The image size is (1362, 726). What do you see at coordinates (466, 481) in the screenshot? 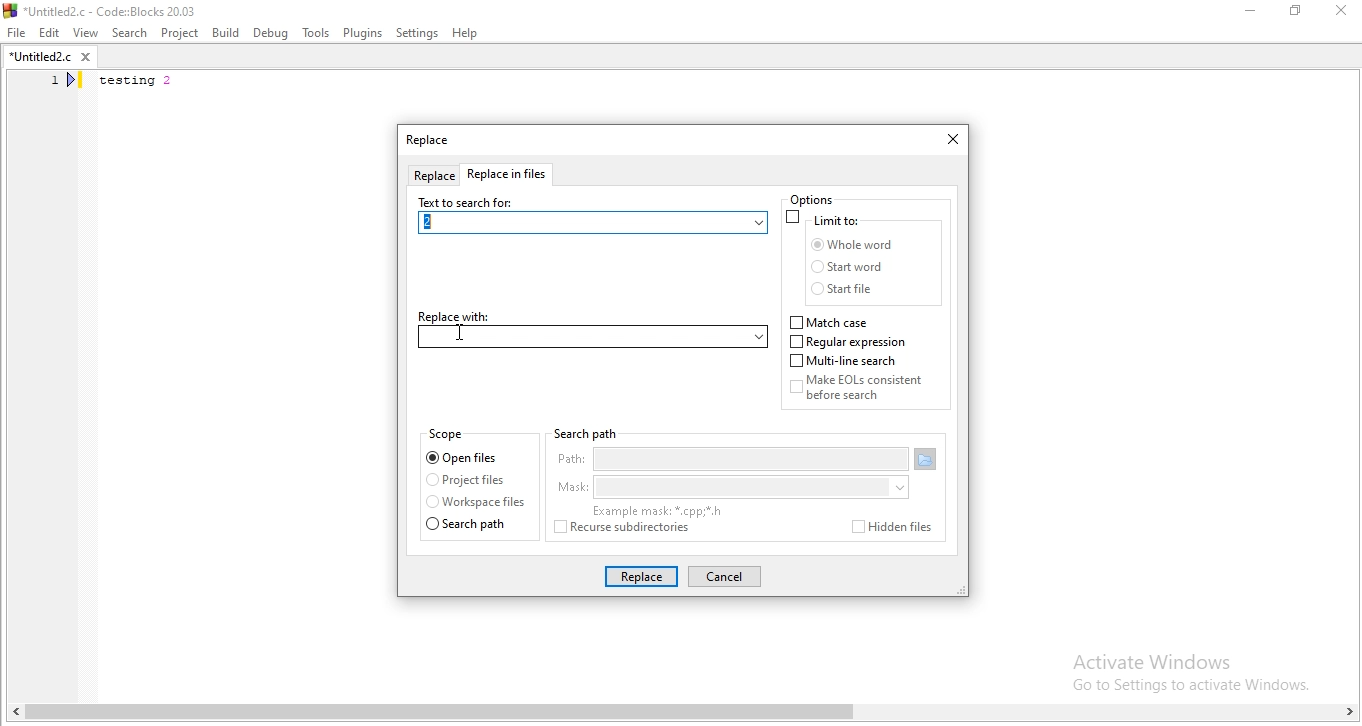
I see `project files` at bounding box center [466, 481].